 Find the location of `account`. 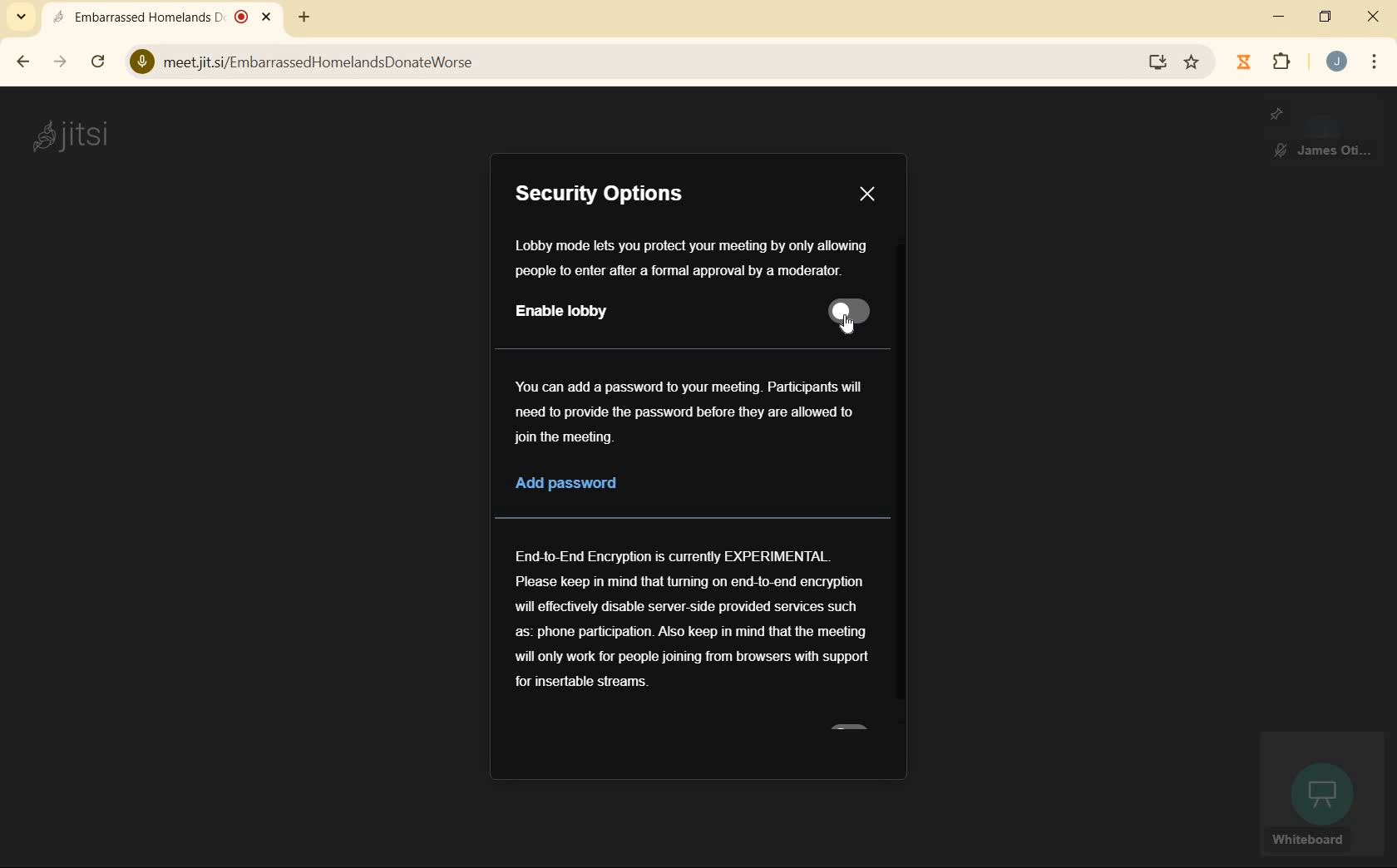

account is located at coordinates (1337, 61).